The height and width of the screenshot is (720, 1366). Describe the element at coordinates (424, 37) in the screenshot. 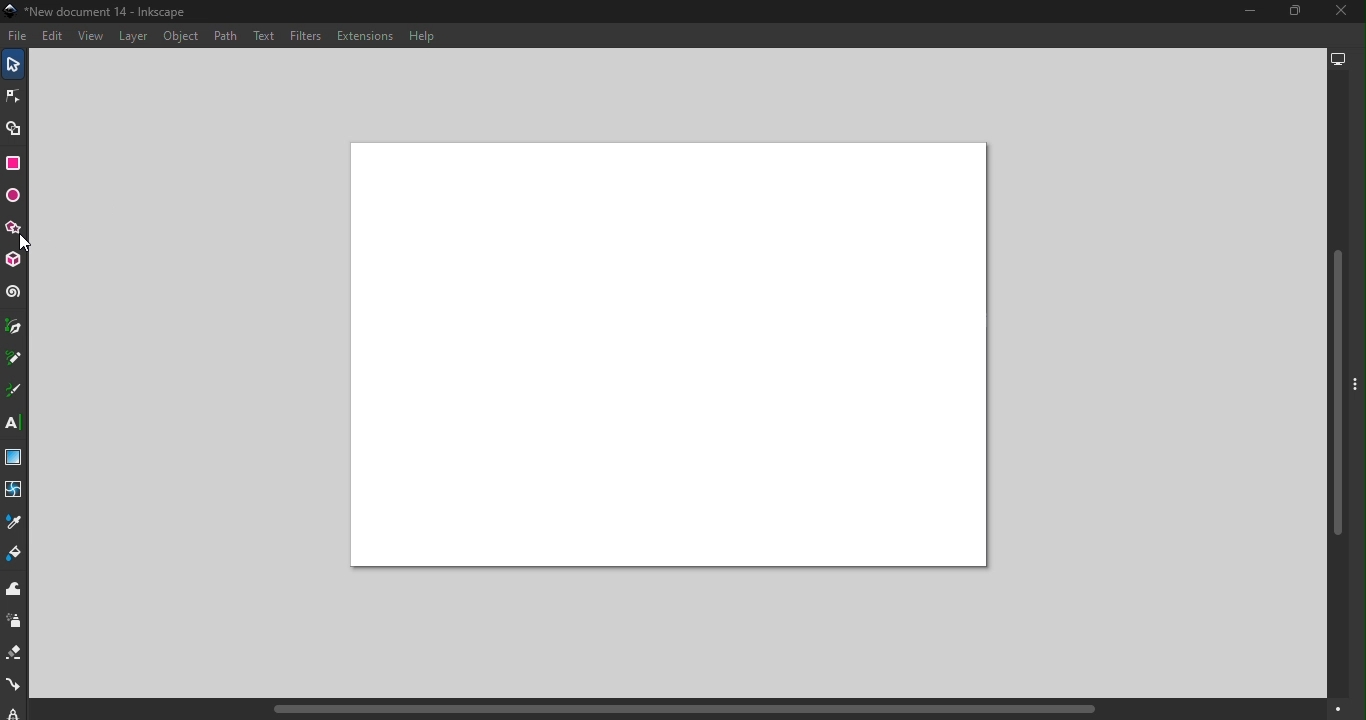

I see `Help` at that location.